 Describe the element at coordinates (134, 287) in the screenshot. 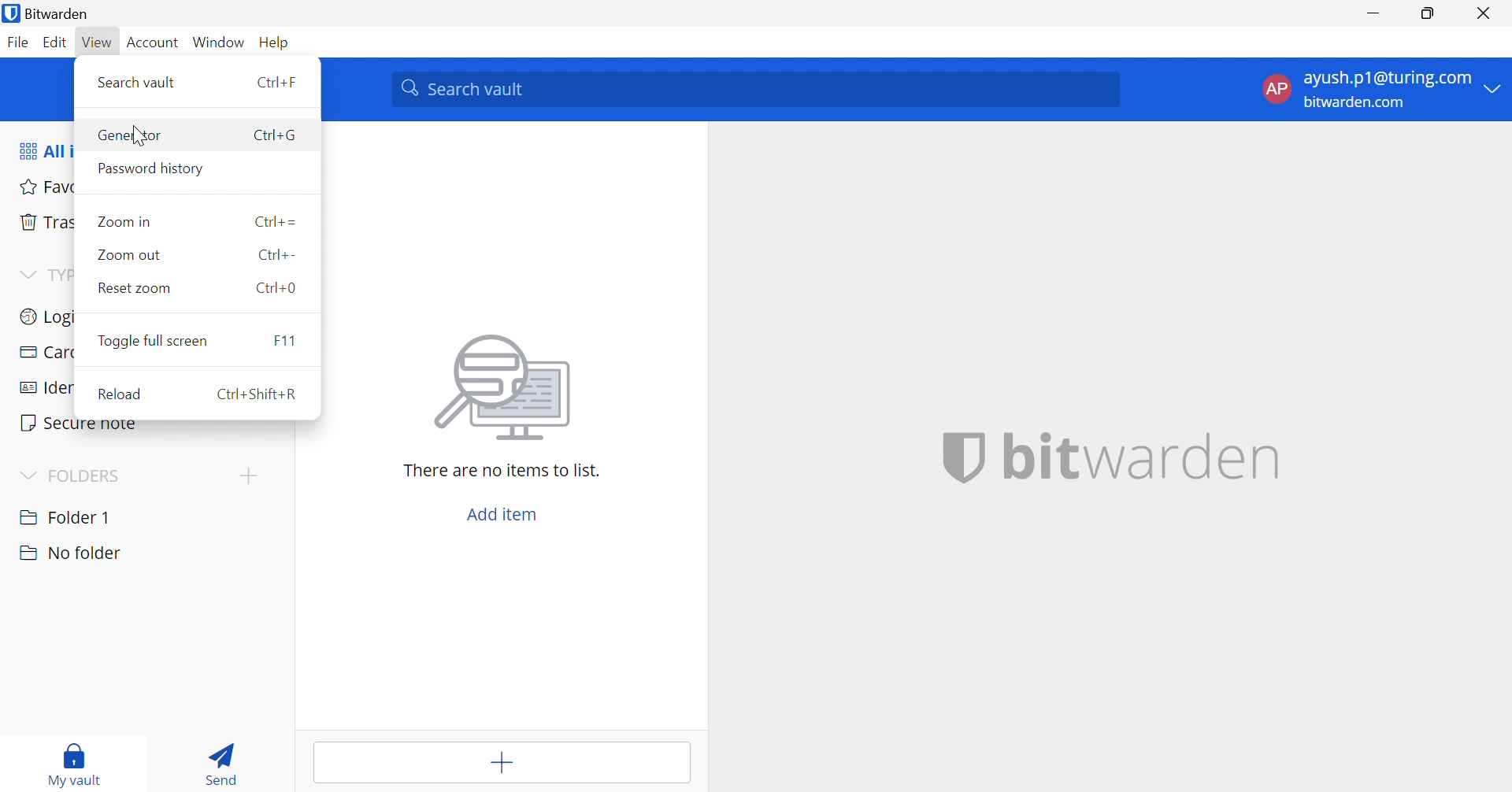

I see `Reset zoom` at that location.